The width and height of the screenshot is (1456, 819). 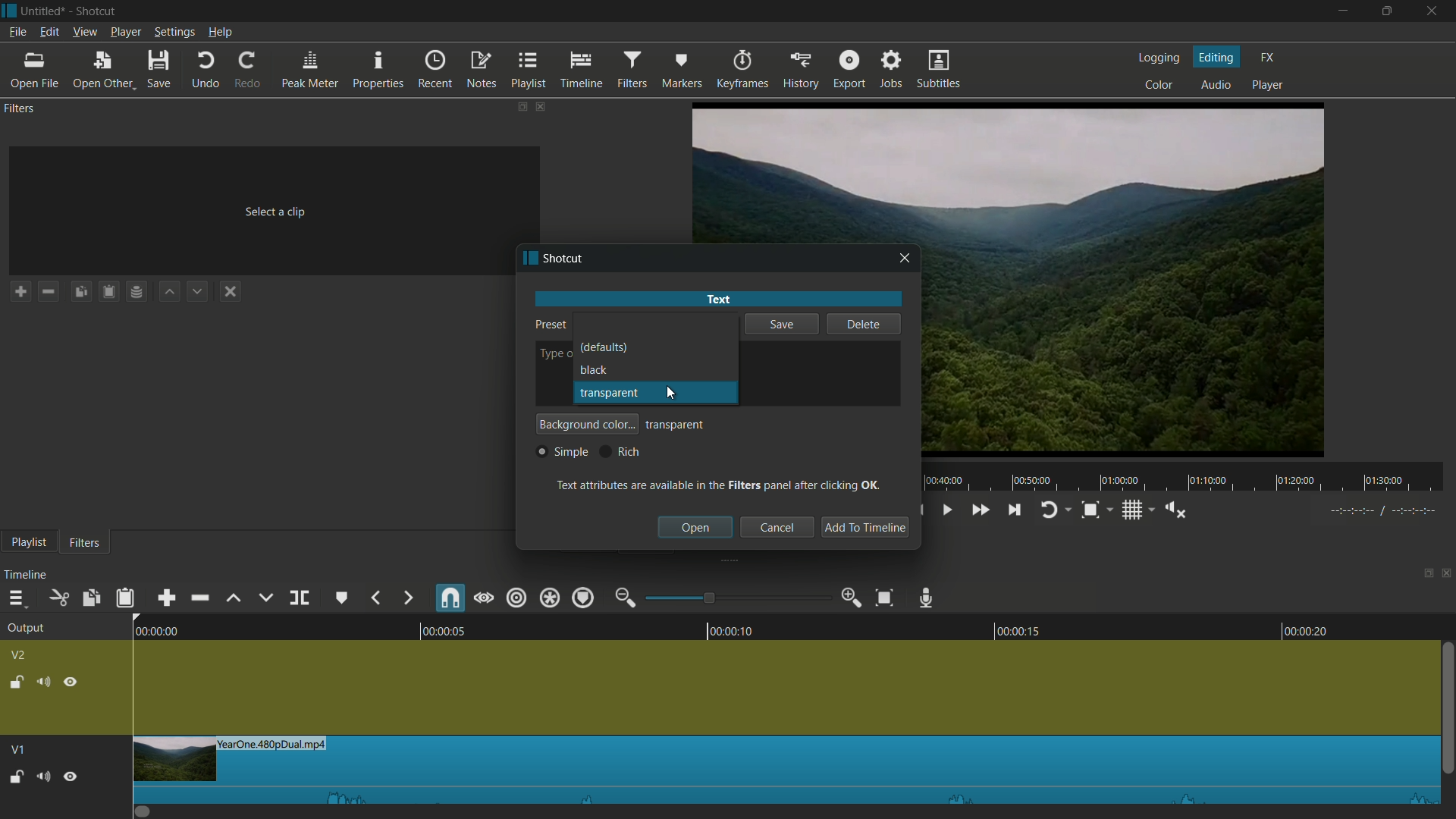 What do you see at coordinates (268, 206) in the screenshot?
I see `Select a clip` at bounding box center [268, 206].